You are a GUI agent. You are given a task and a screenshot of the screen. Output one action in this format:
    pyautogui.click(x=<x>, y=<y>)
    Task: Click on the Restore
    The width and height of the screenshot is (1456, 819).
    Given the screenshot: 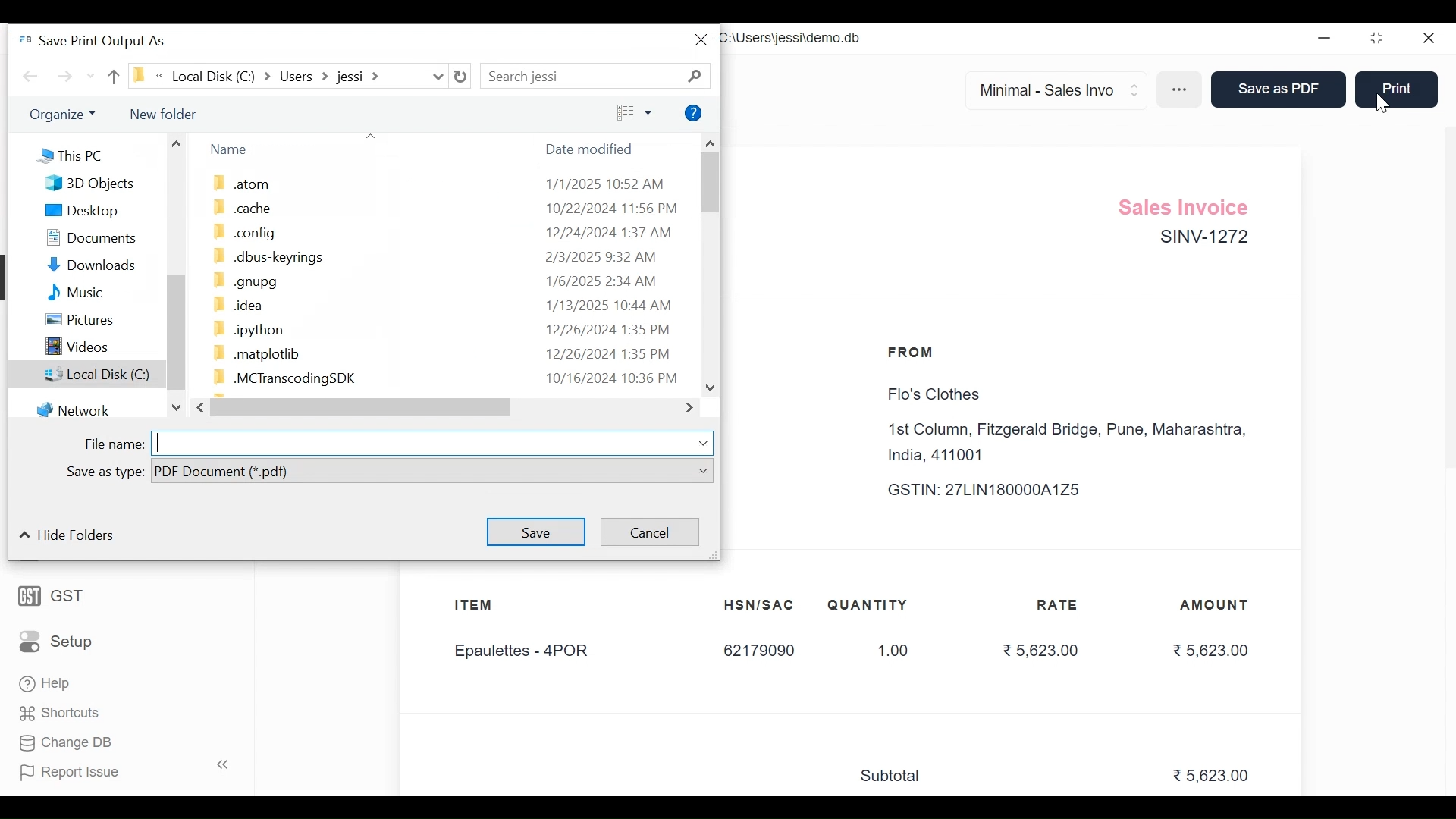 What is the action you would take?
    pyautogui.click(x=1379, y=39)
    